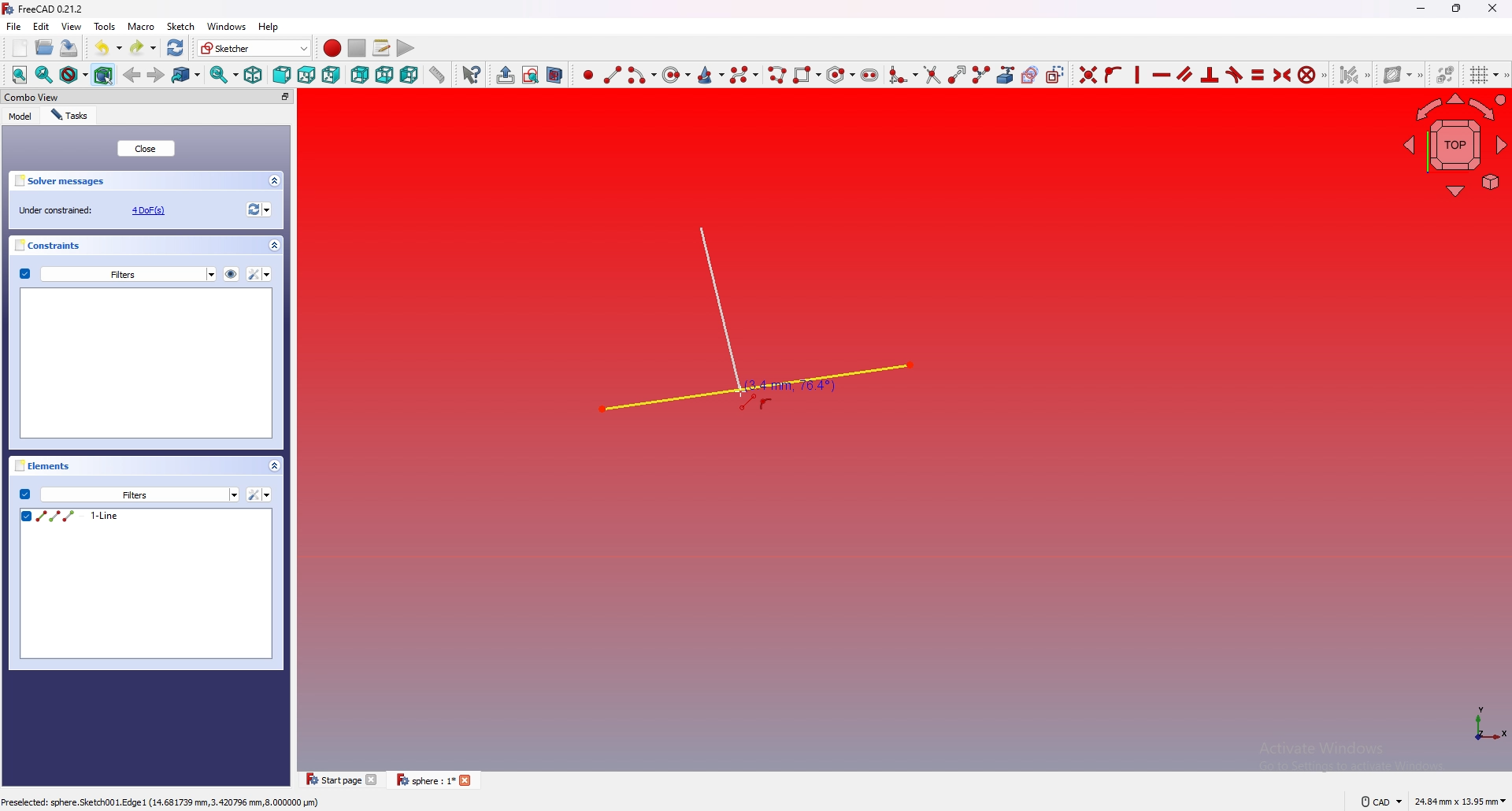  What do you see at coordinates (357, 48) in the screenshot?
I see `Stop macro recording` at bounding box center [357, 48].